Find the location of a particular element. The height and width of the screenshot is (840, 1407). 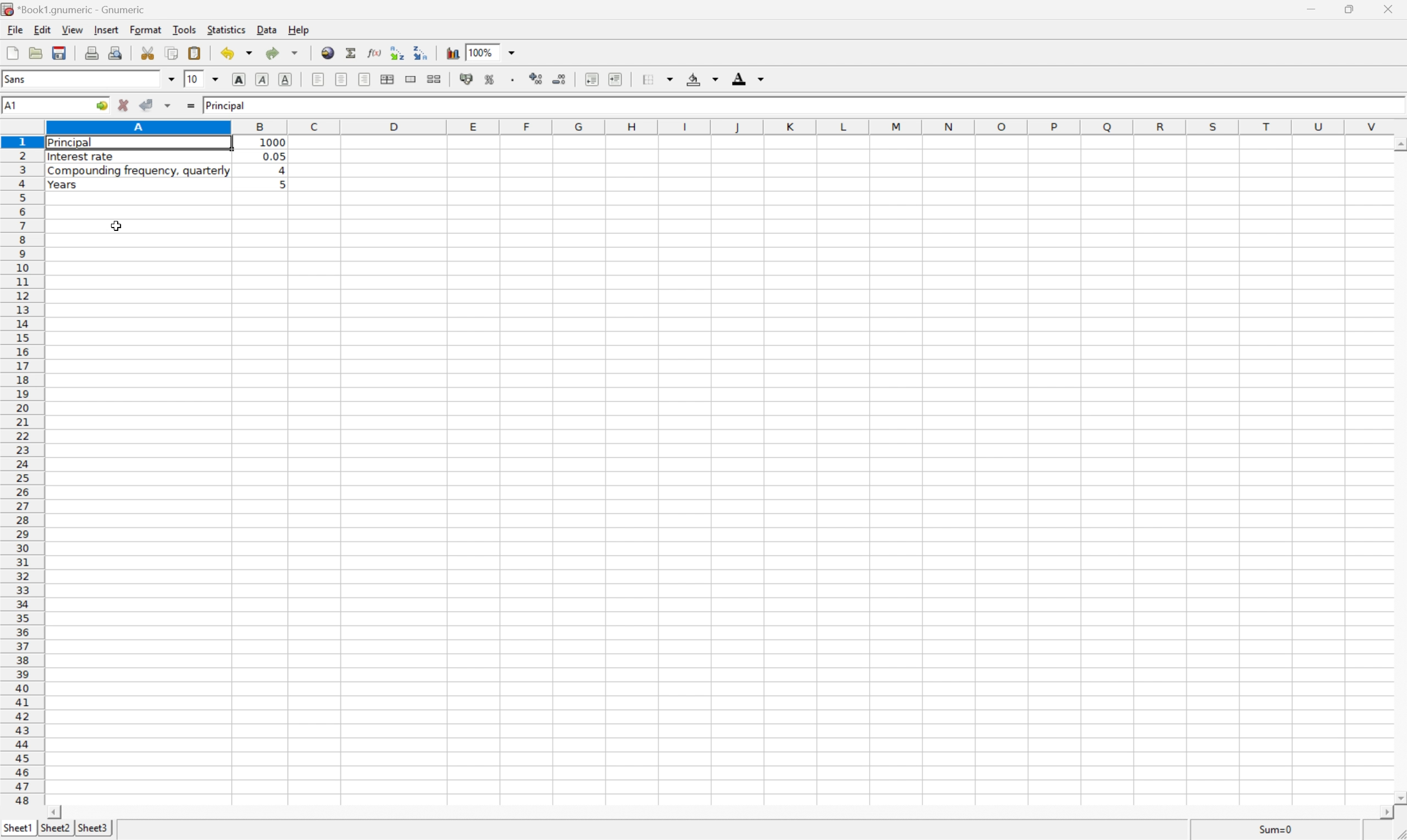

scroll left is located at coordinates (57, 812).